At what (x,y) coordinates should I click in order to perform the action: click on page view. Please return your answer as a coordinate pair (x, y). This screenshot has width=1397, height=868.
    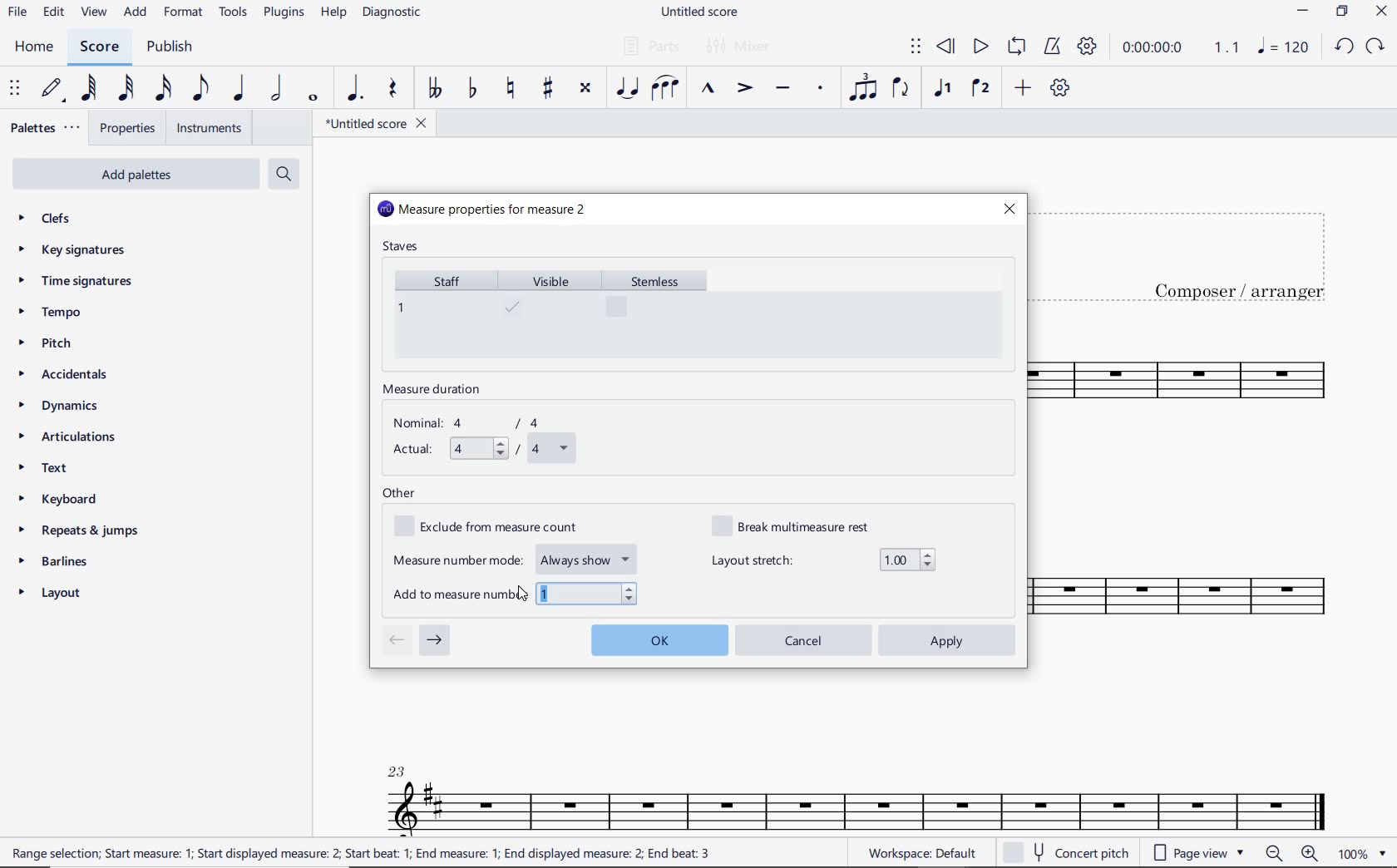
    Looking at the image, I should click on (1196, 852).